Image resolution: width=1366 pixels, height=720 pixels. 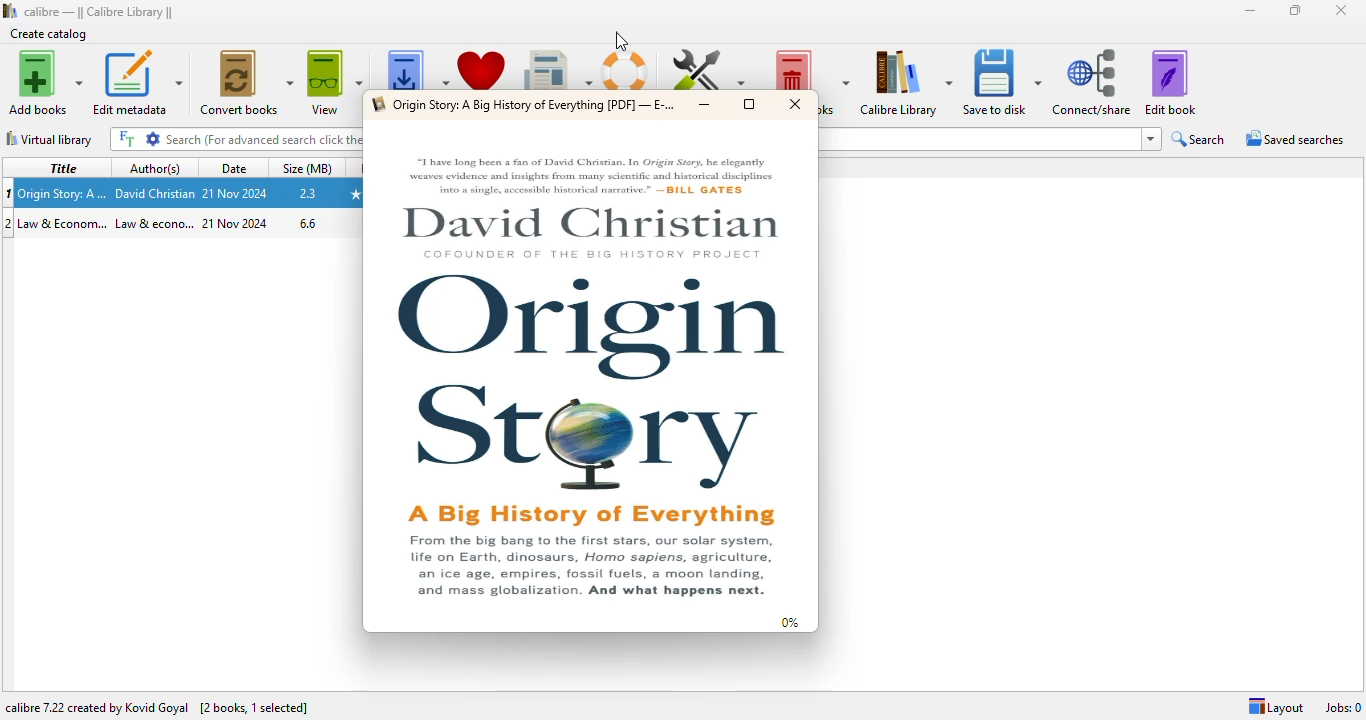 What do you see at coordinates (1295, 11) in the screenshot?
I see `maximize` at bounding box center [1295, 11].